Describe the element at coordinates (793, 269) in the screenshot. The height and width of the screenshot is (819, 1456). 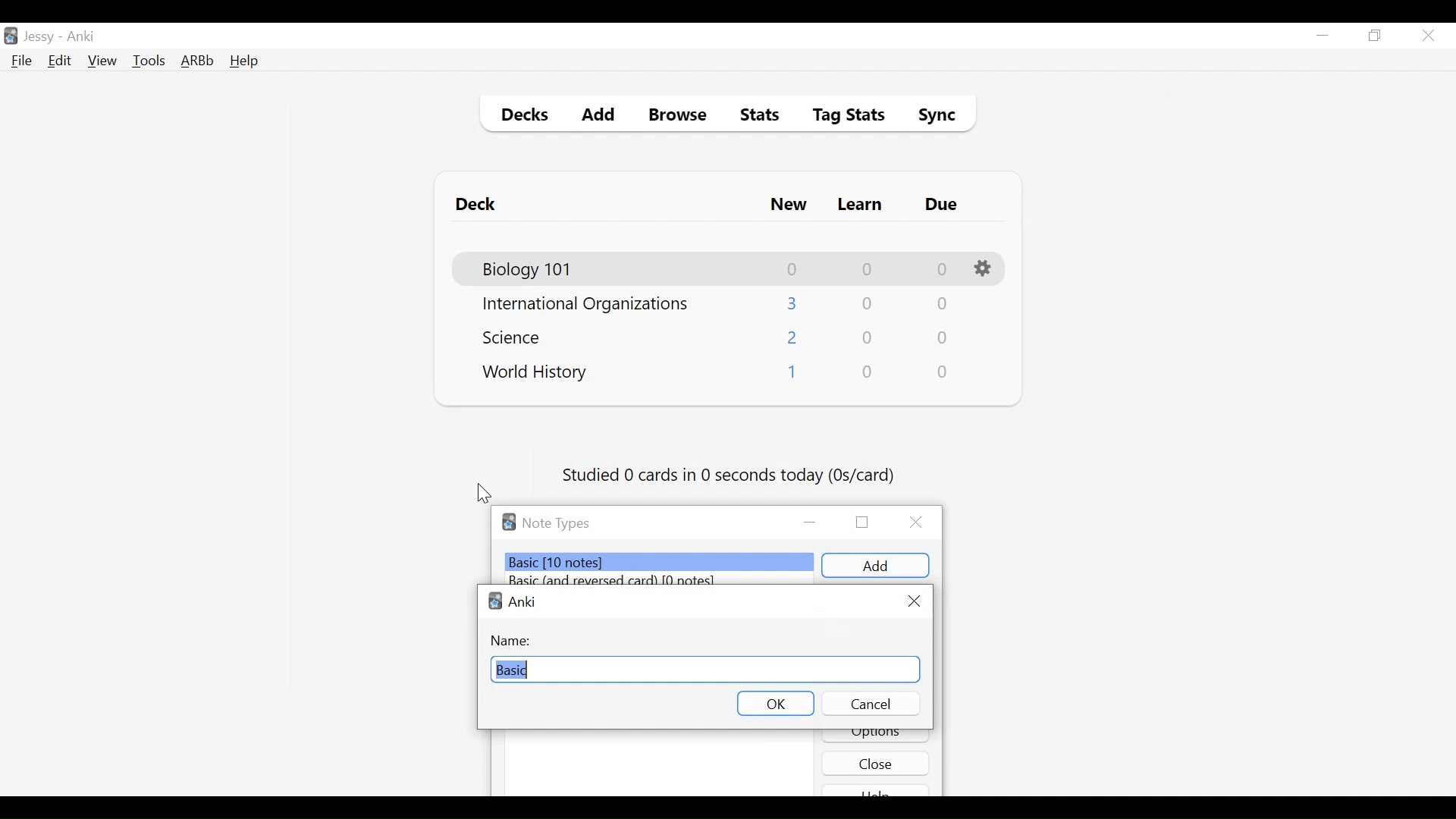
I see `New Card Count` at that location.